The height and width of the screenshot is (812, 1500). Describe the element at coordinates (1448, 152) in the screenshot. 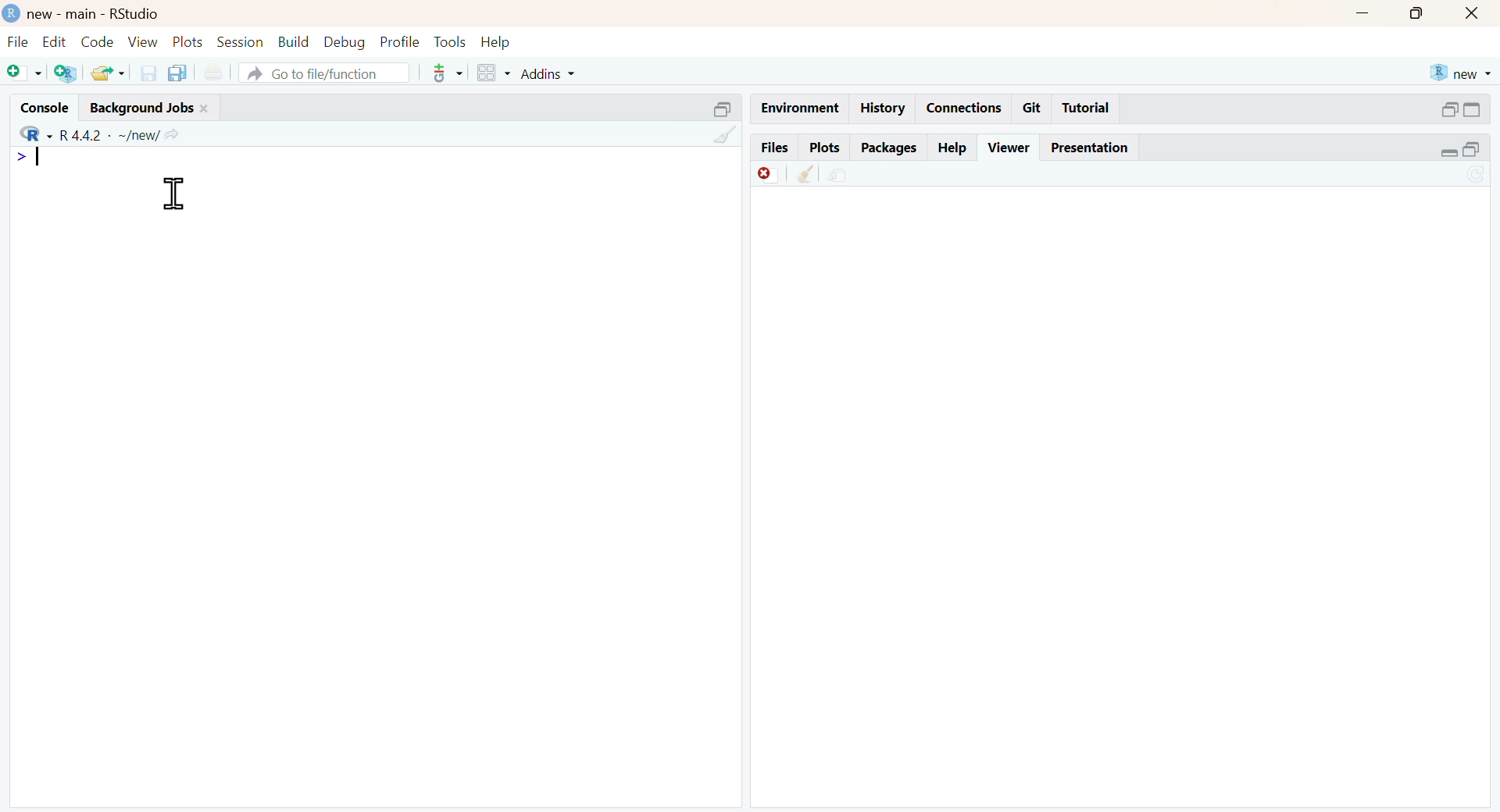

I see `expand/collapse` at that location.